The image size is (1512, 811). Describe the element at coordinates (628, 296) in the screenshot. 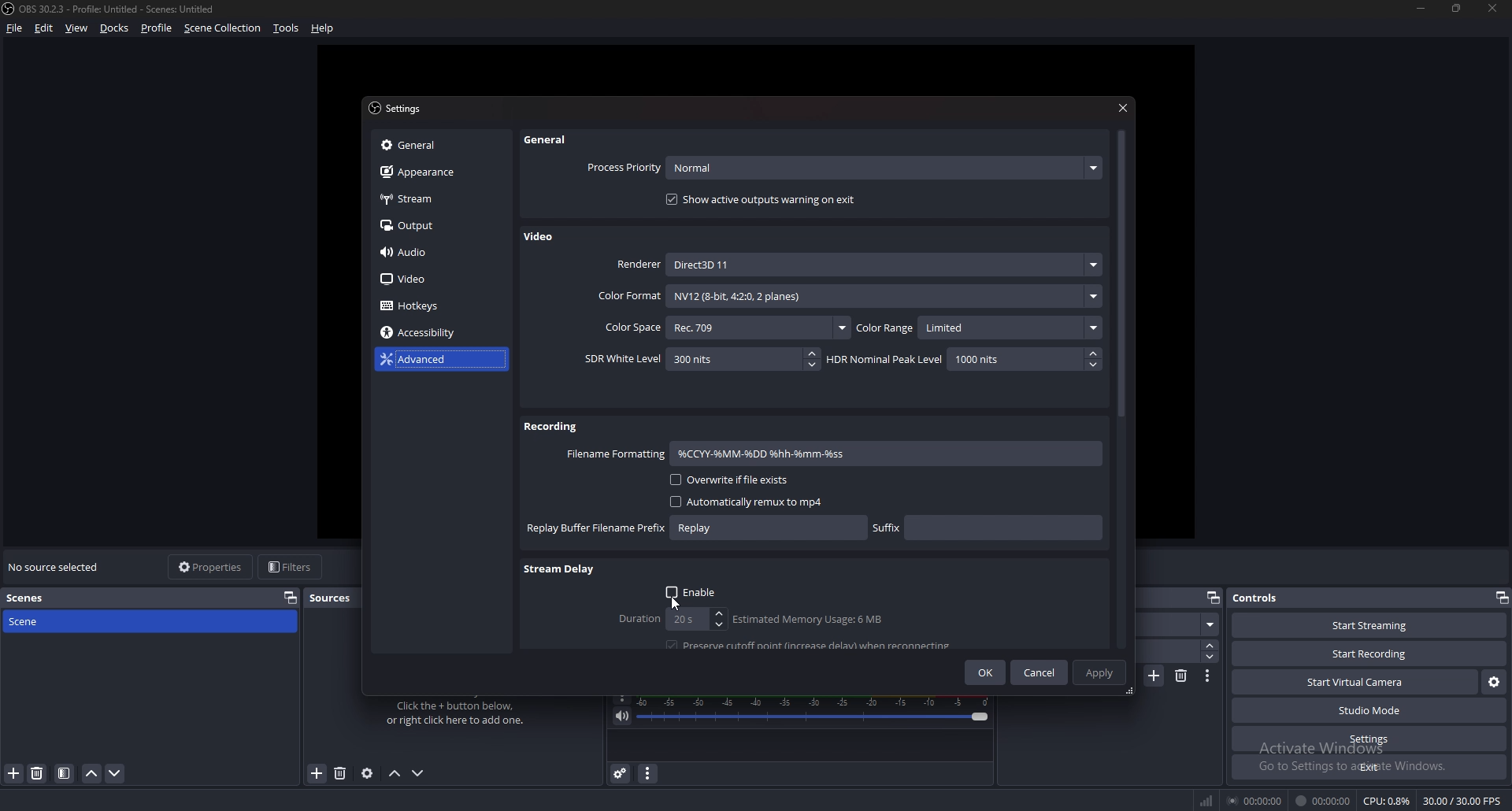

I see `color format` at that location.